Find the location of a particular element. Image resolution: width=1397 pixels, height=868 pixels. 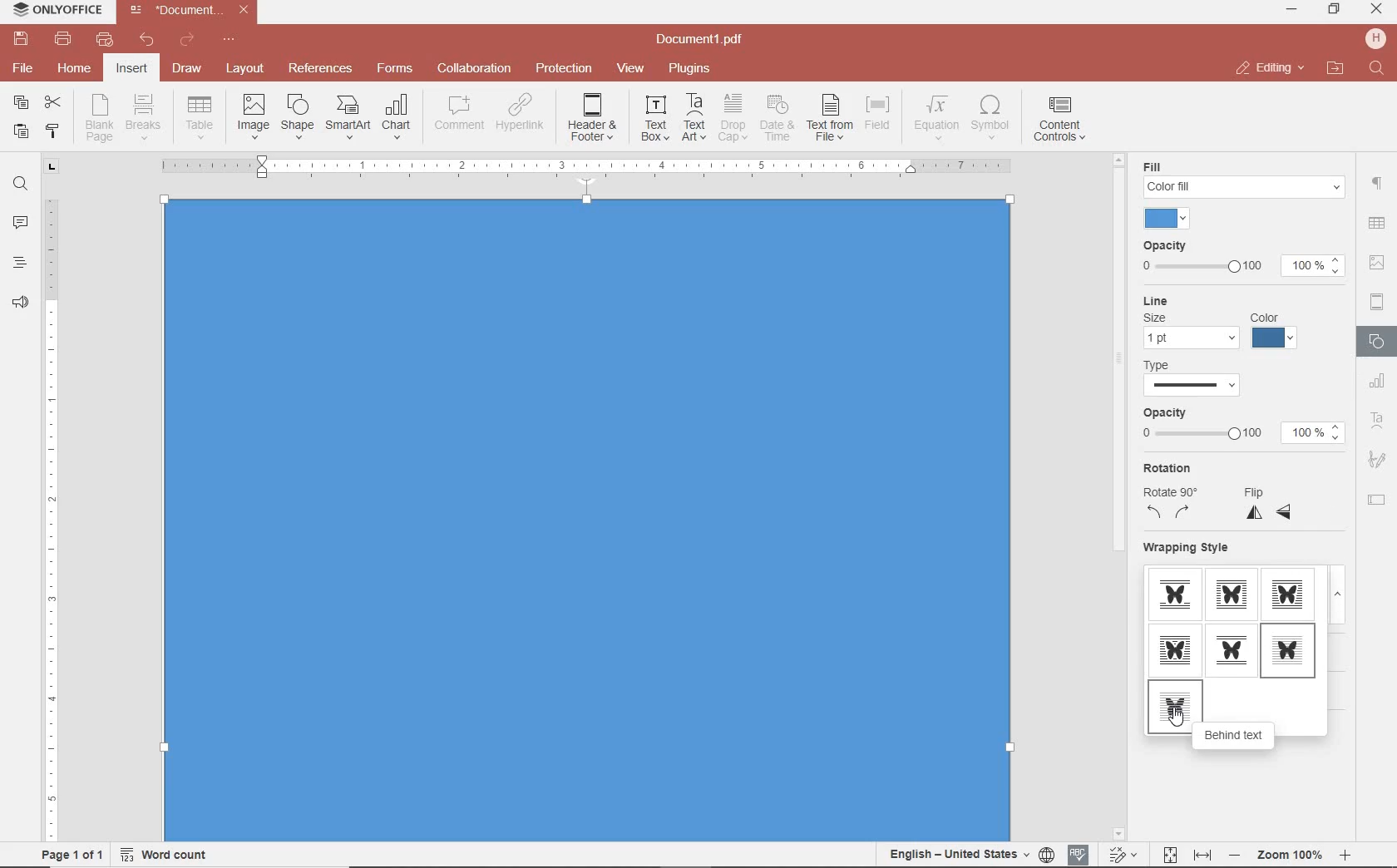

TEXT ART is located at coordinates (1378, 422).